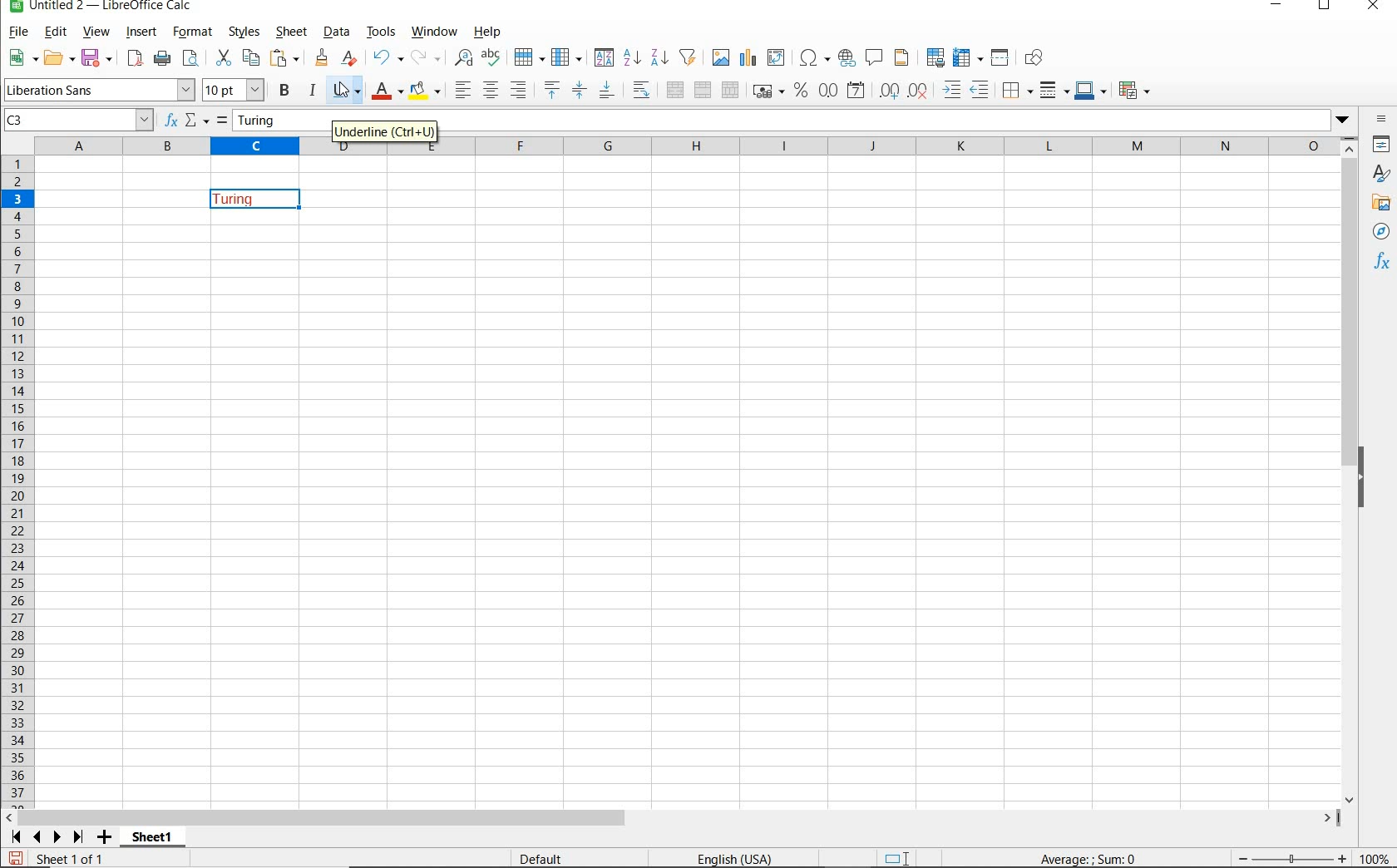 The image size is (1397, 868). Describe the element at coordinates (935, 57) in the screenshot. I see `DEFINE PRINT AREA` at that location.